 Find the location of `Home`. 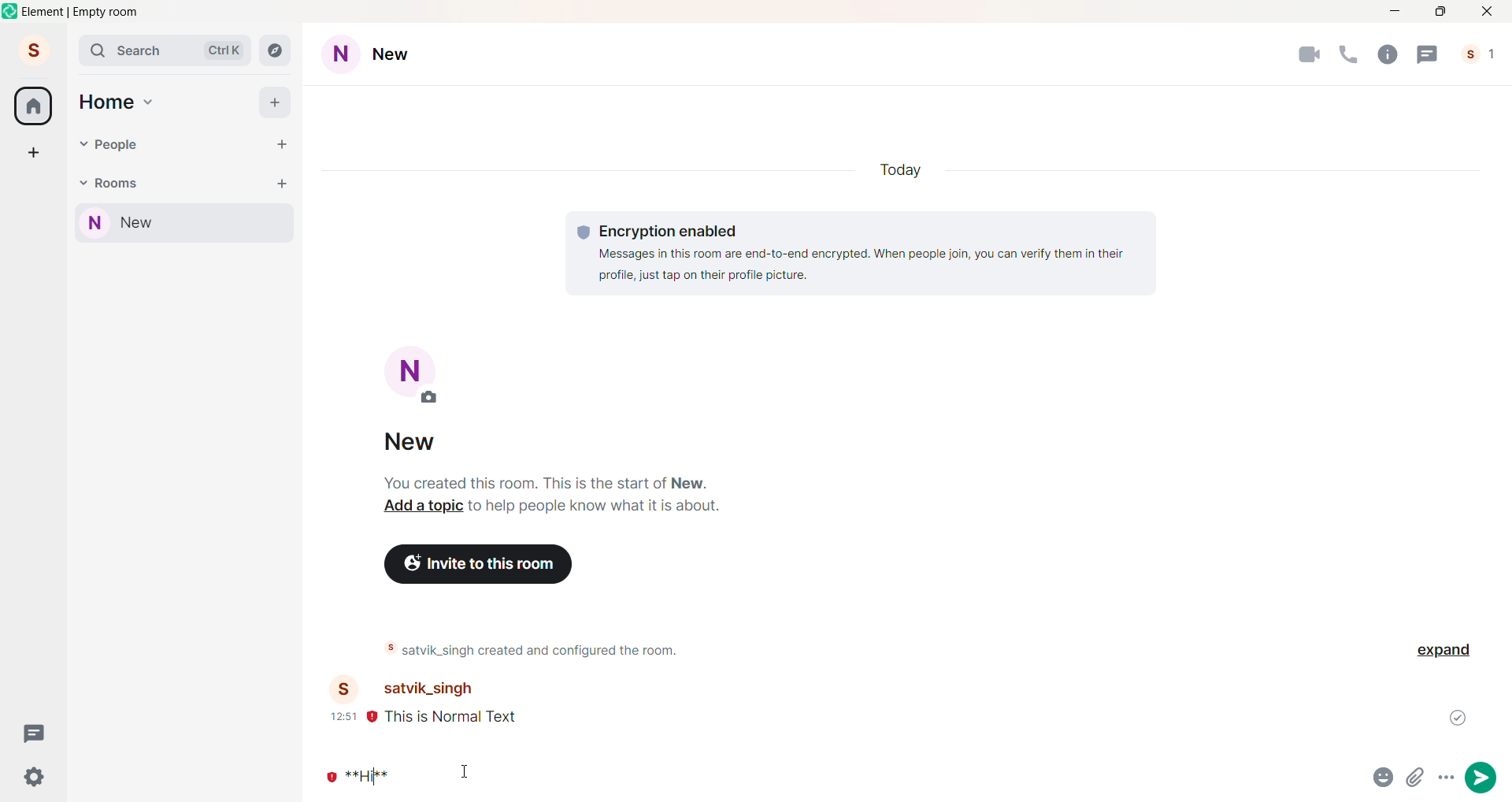

Home is located at coordinates (33, 106).